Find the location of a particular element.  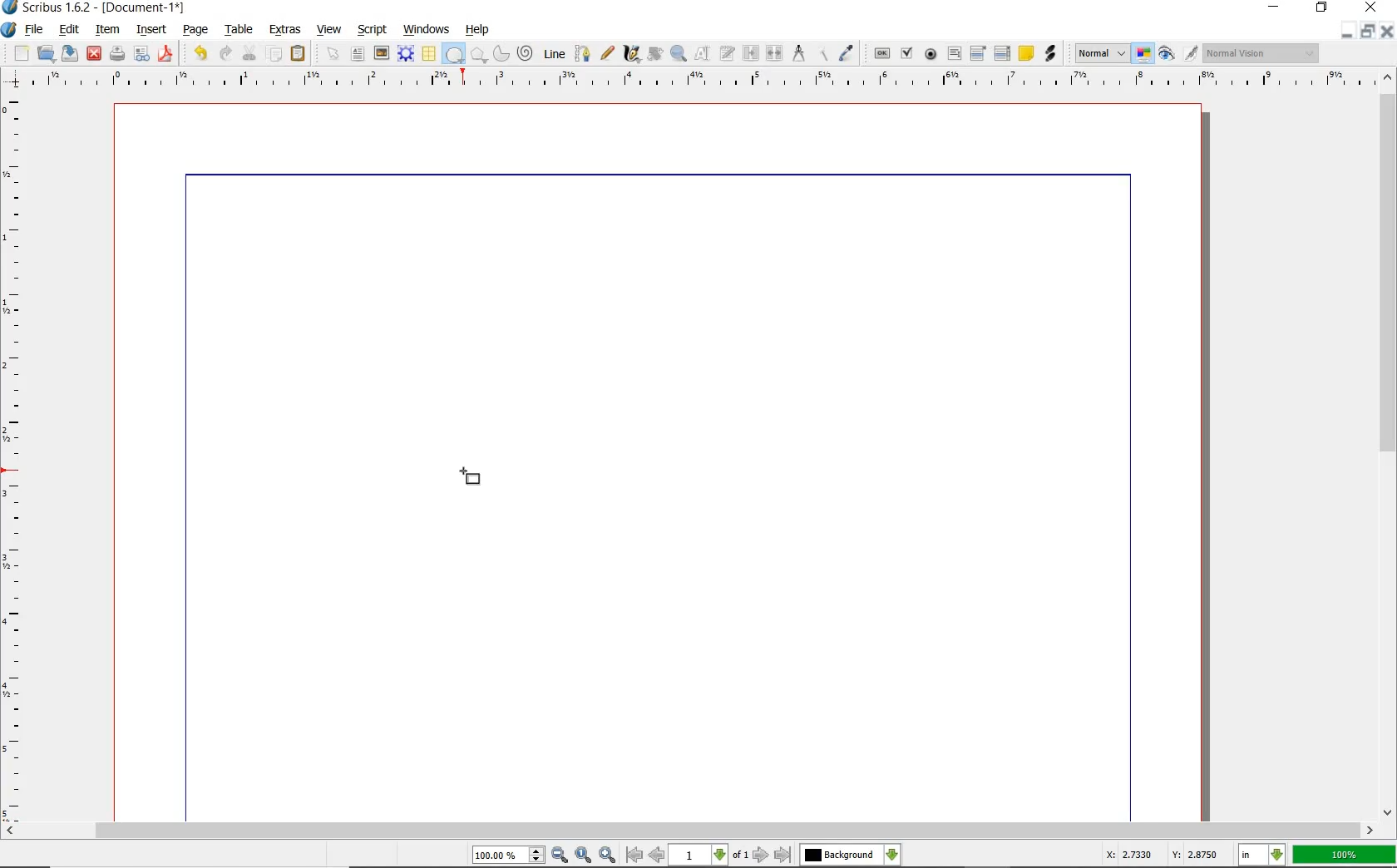

ITEM is located at coordinates (108, 28).